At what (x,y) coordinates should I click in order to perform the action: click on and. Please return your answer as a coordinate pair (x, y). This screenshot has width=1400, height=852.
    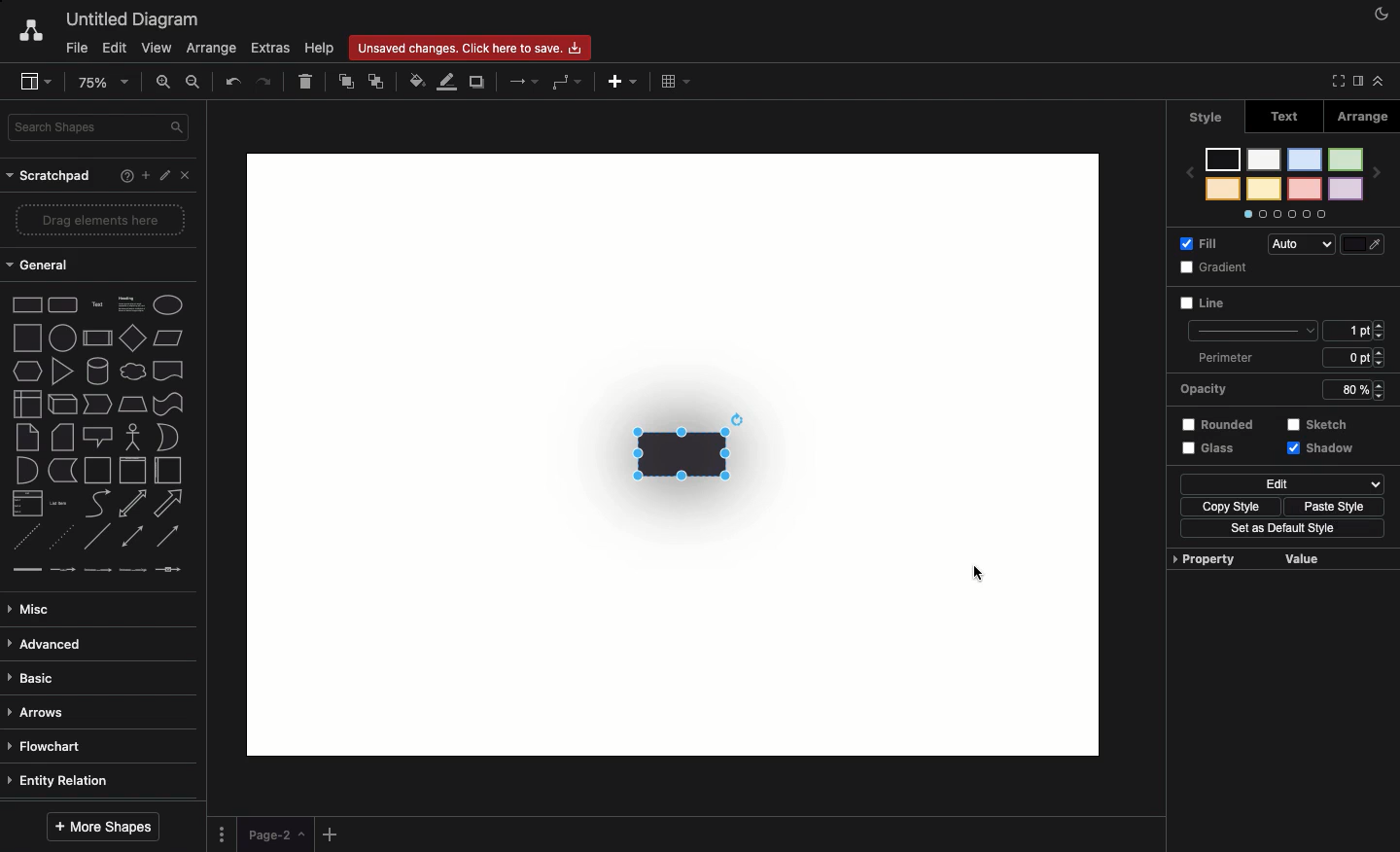
    Looking at the image, I should click on (26, 470).